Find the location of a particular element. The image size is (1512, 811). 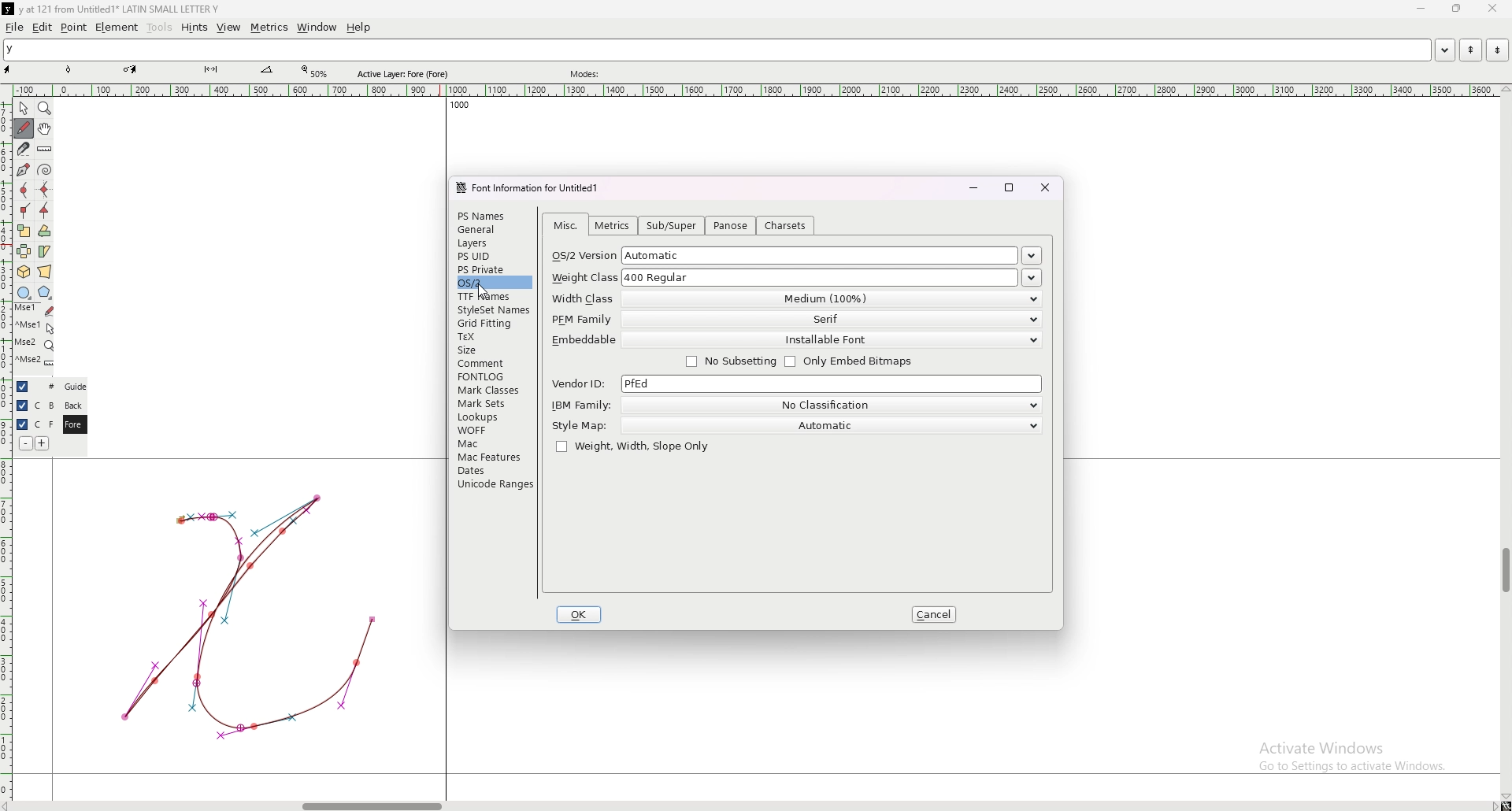

zoom percentage is located at coordinates (317, 72).